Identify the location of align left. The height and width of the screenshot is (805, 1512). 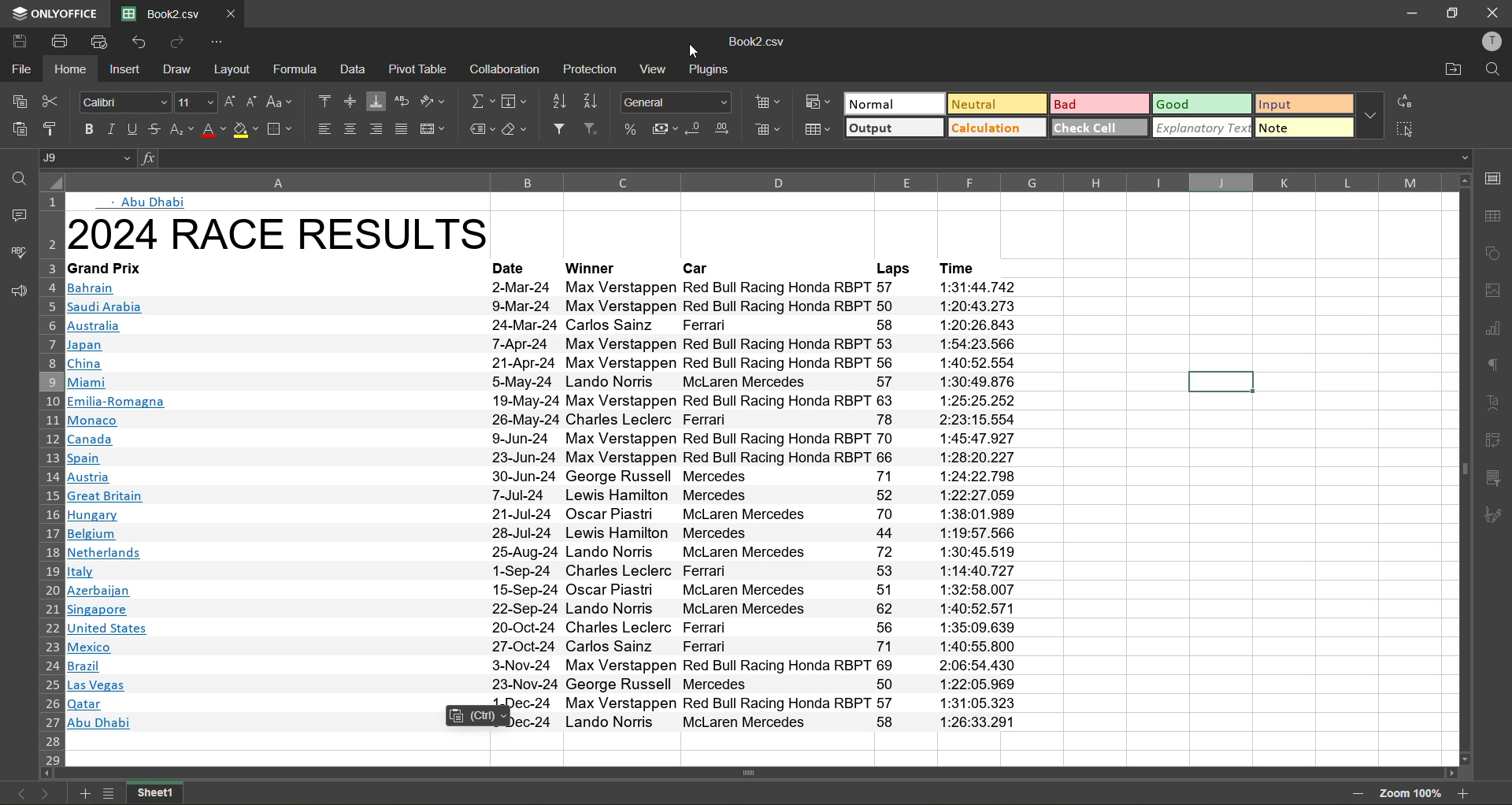
(323, 128).